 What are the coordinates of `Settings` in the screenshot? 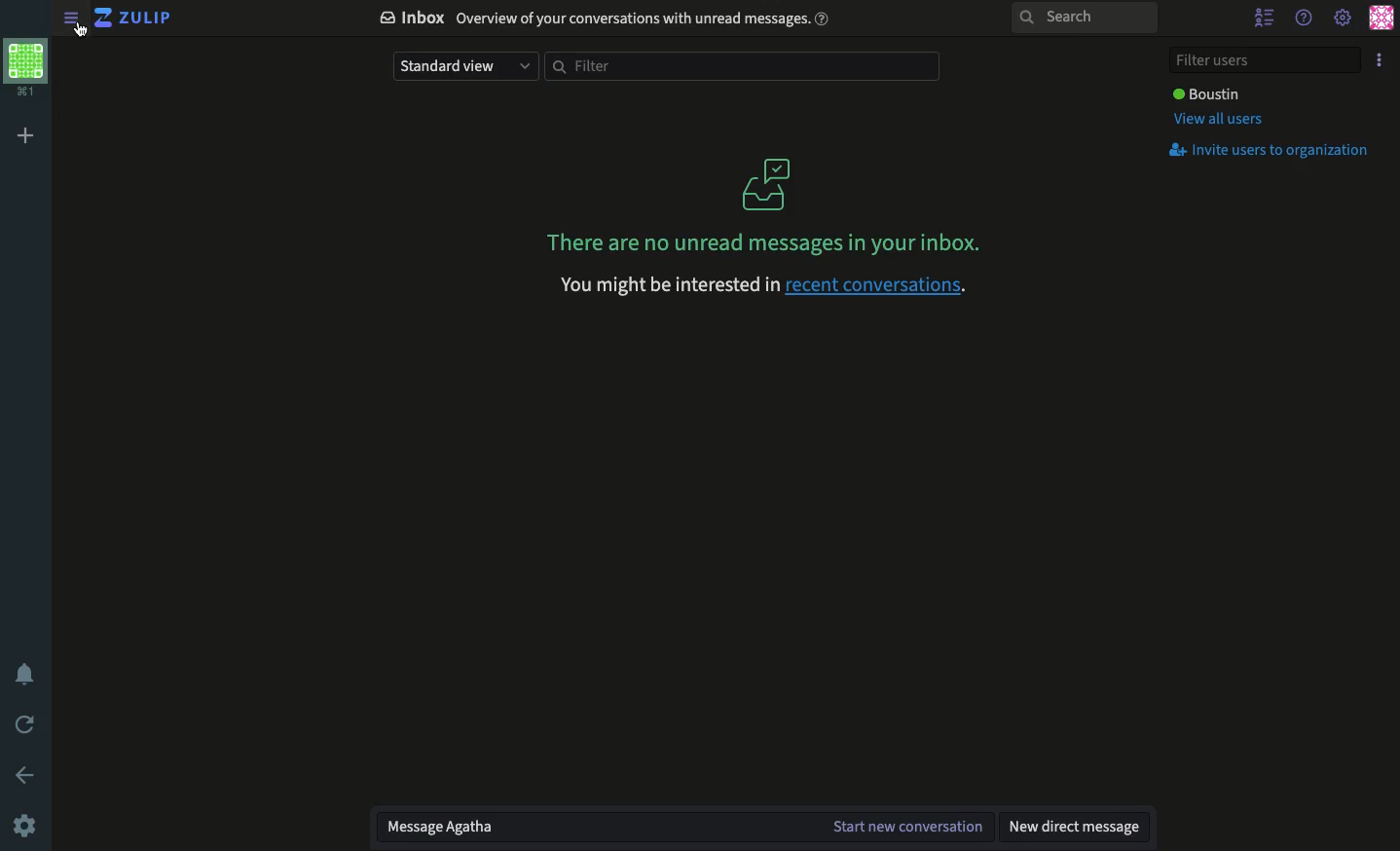 It's located at (1345, 18).